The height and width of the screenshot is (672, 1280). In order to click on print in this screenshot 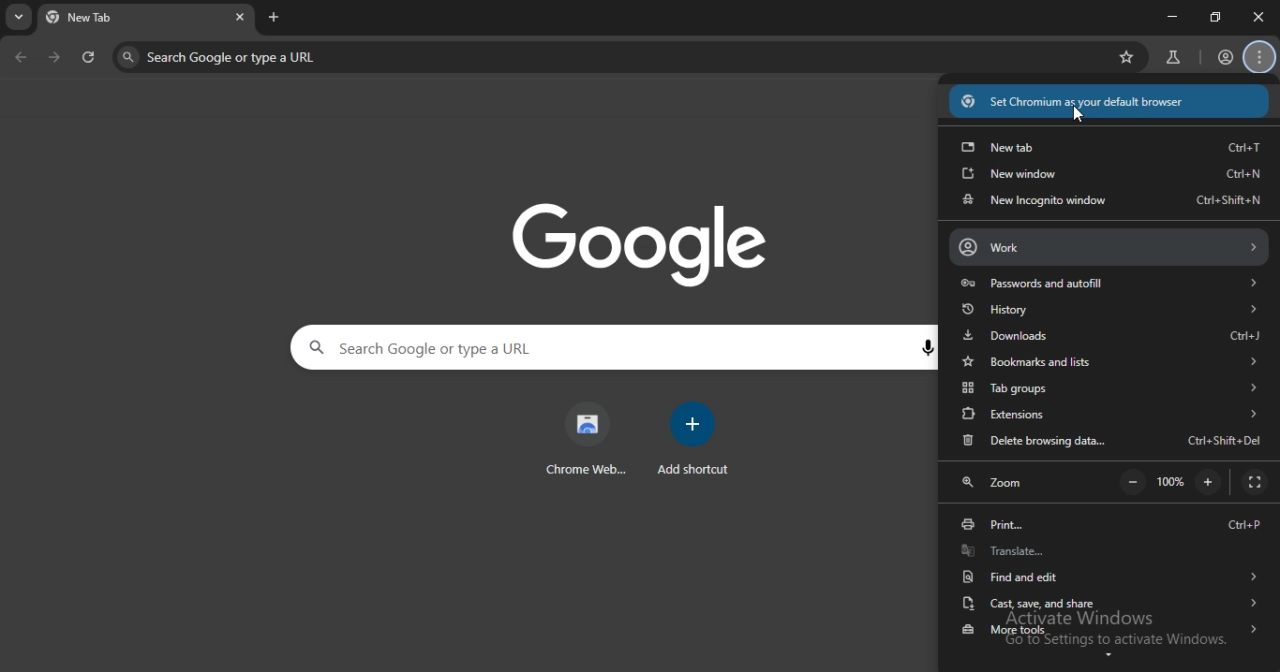, I will do `click(1107, 527)`.